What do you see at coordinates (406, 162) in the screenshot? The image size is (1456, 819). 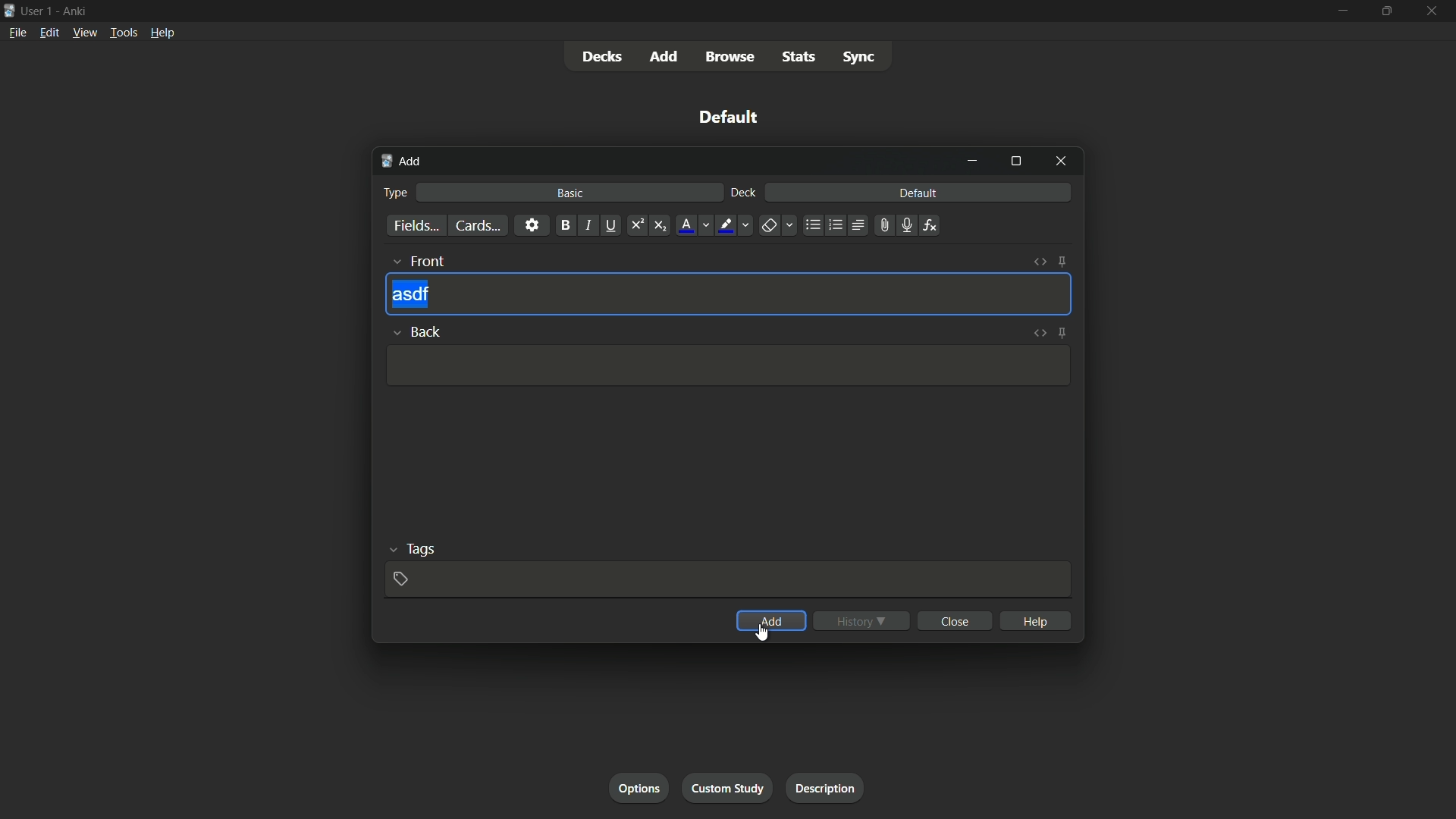 I see `add` at bounding box center [406, 162].